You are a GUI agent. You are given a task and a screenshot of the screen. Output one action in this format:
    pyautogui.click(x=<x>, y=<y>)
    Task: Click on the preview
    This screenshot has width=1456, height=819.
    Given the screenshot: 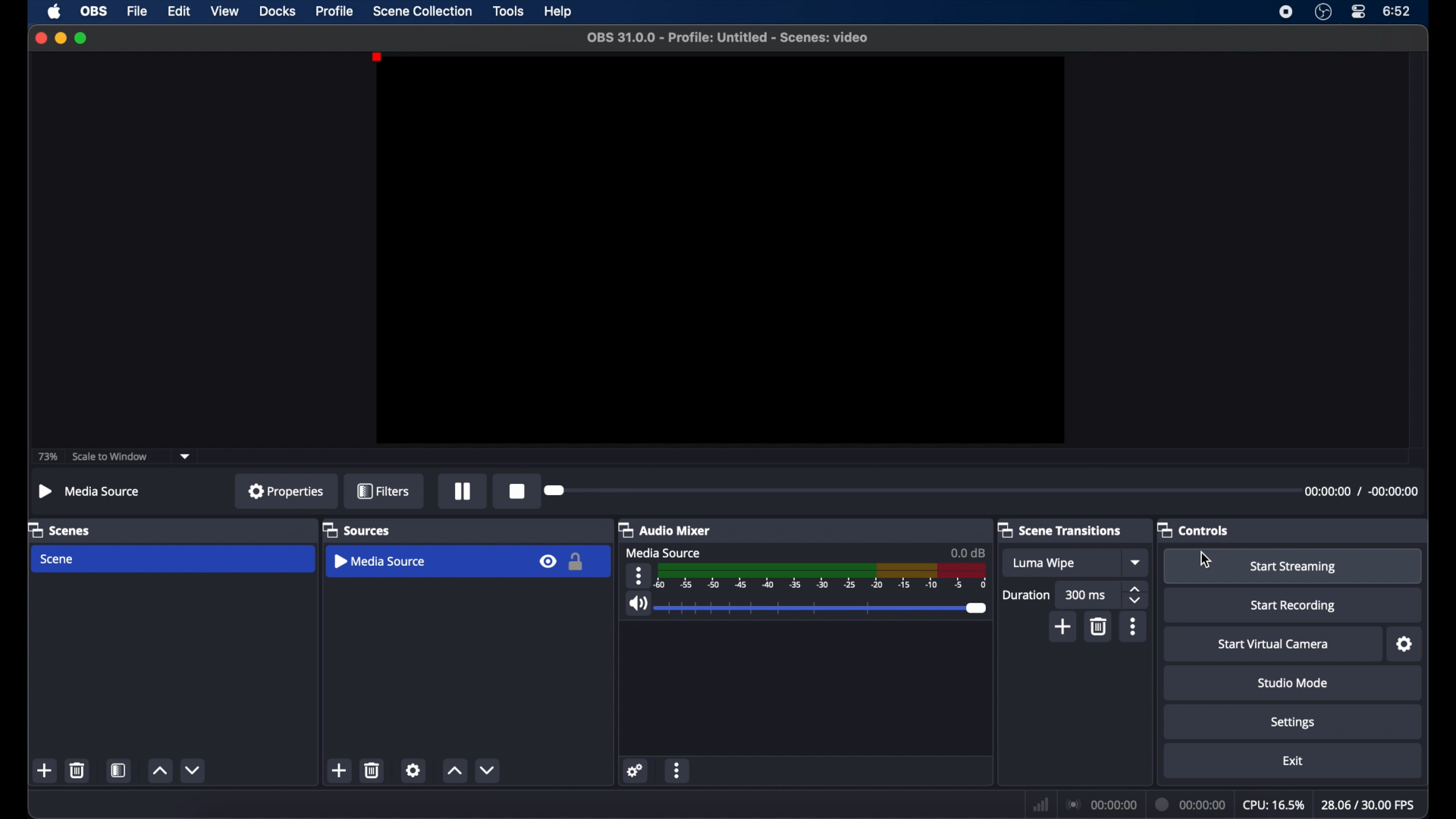 What is the action you would take?
    pyautogui.click(x=722, y=249)
    